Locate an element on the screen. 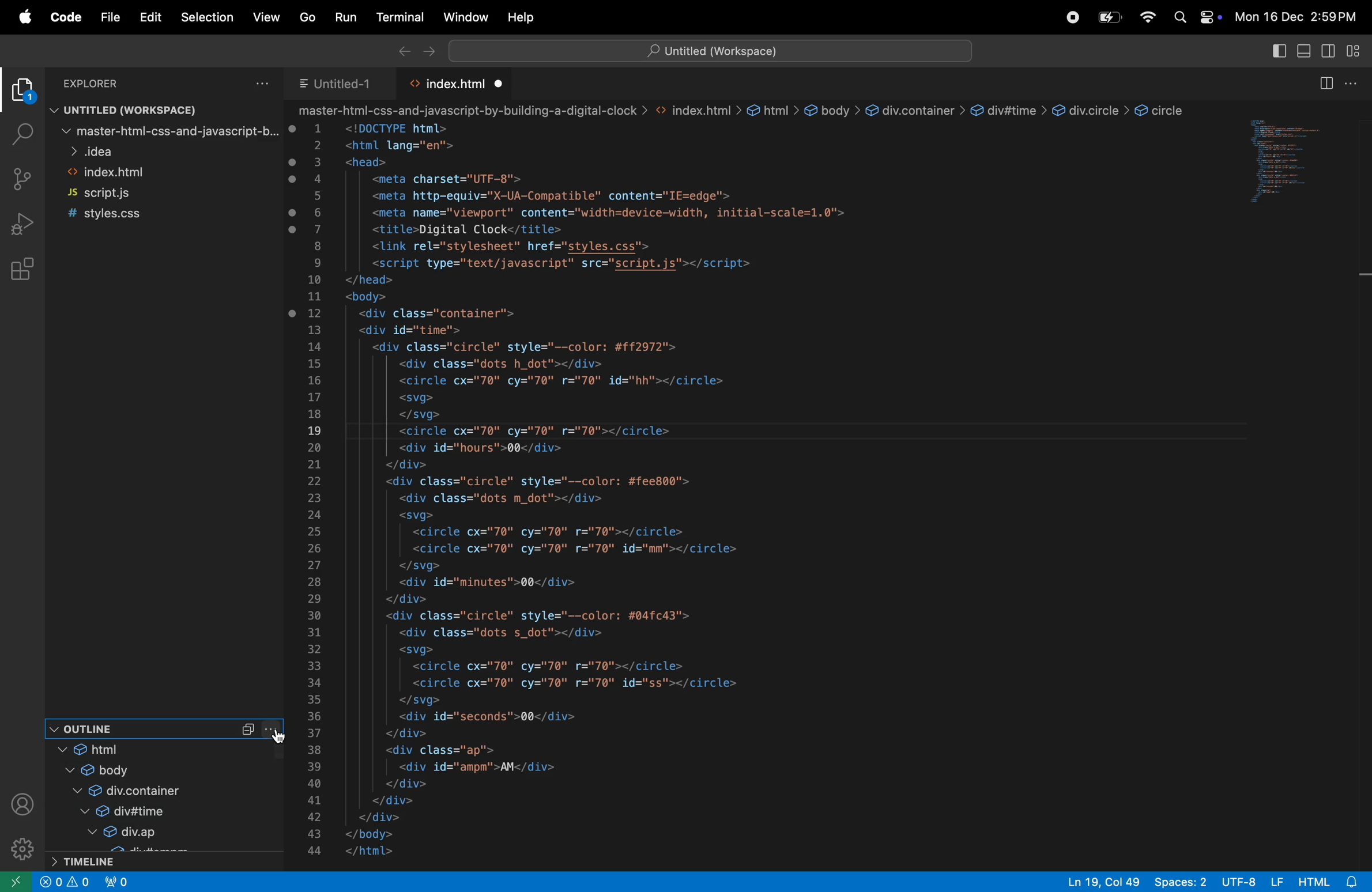 Image resolution: width=1372 pixels, height=892 pixels. toggle panel is located at coordinates (1305, 52).